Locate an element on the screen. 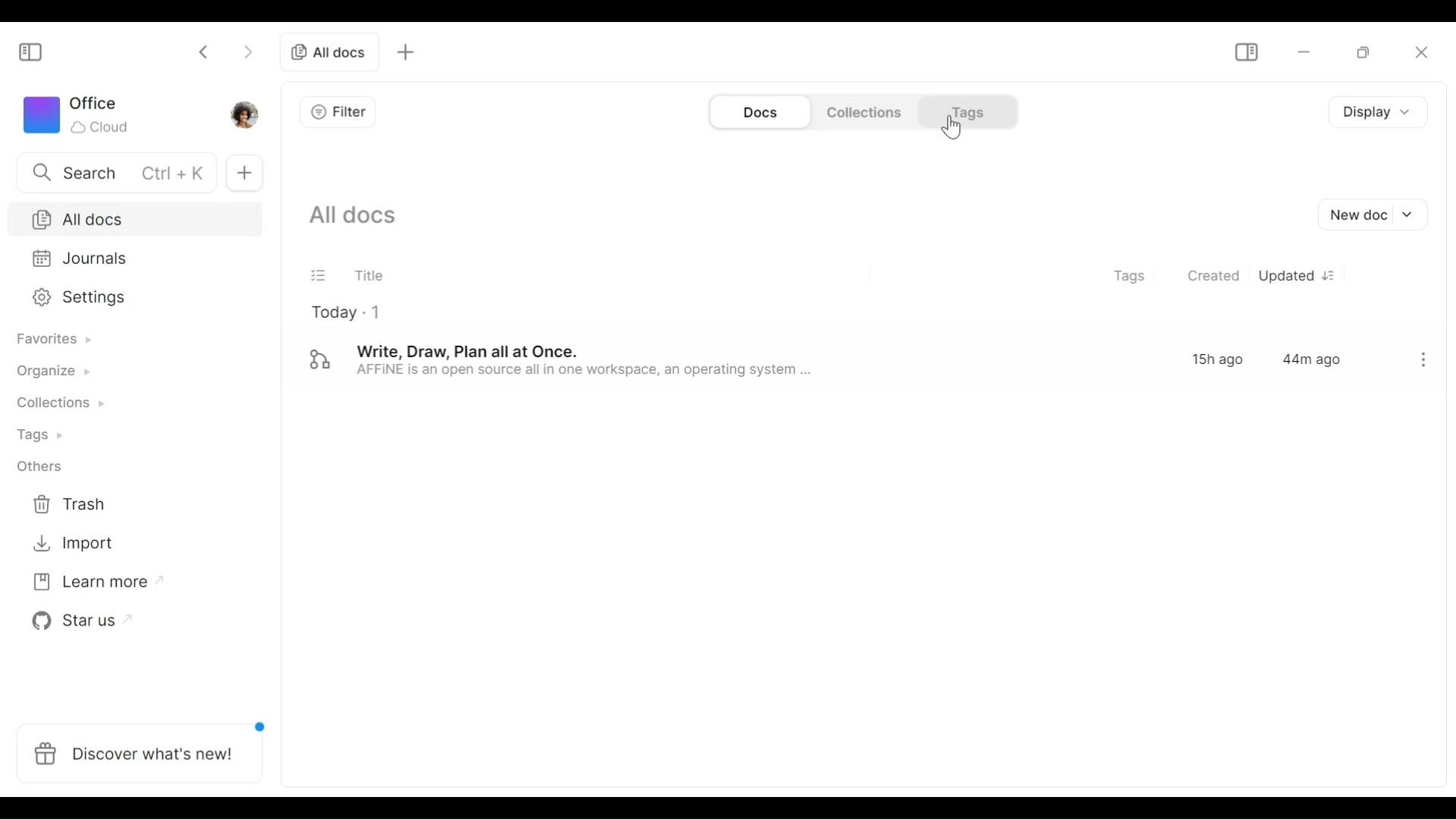 The width and height of the screenshot is (1456, 819). Minimize is located at coordinates (1304, 53).